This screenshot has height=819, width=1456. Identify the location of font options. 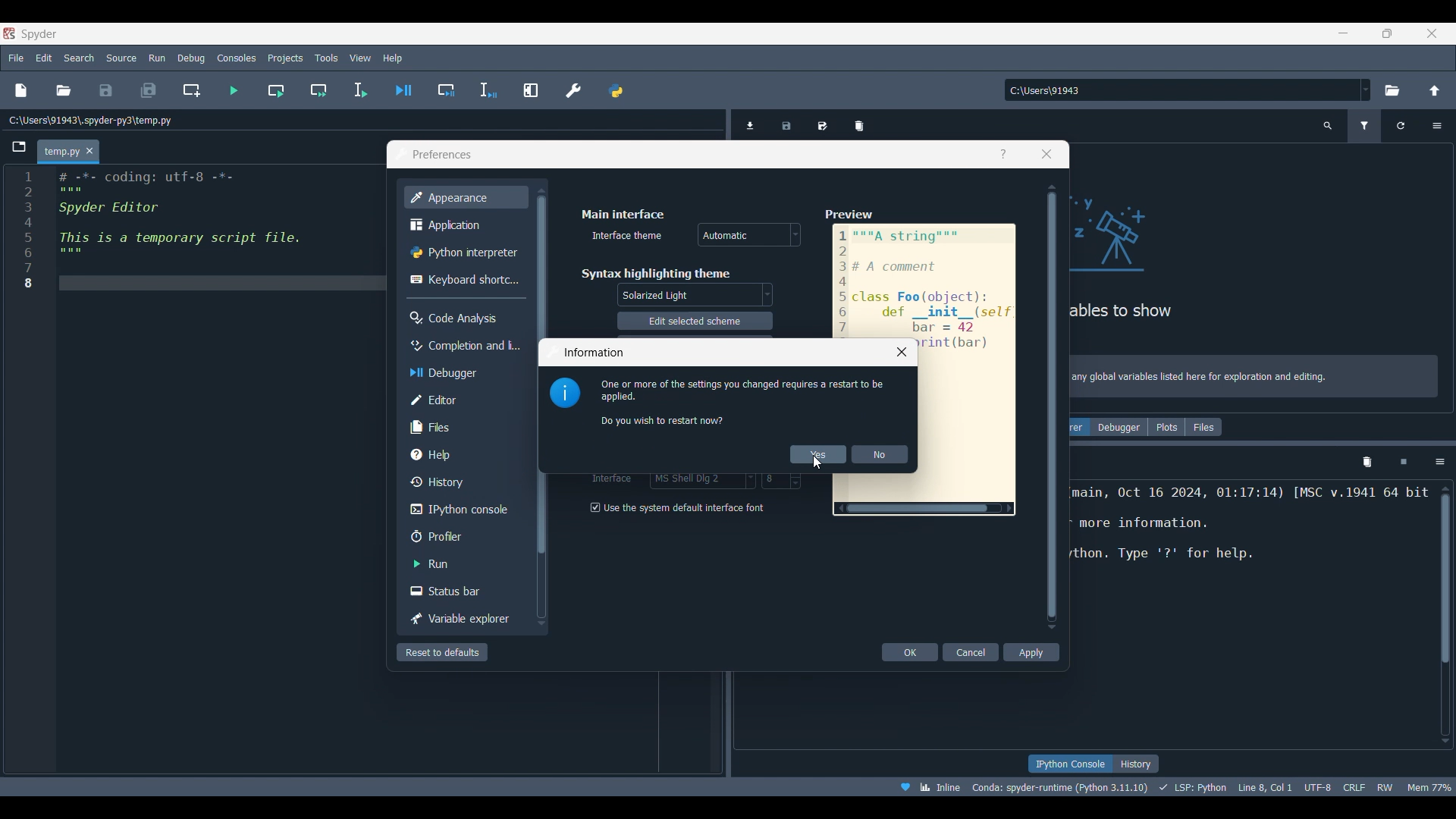
(701, 482).